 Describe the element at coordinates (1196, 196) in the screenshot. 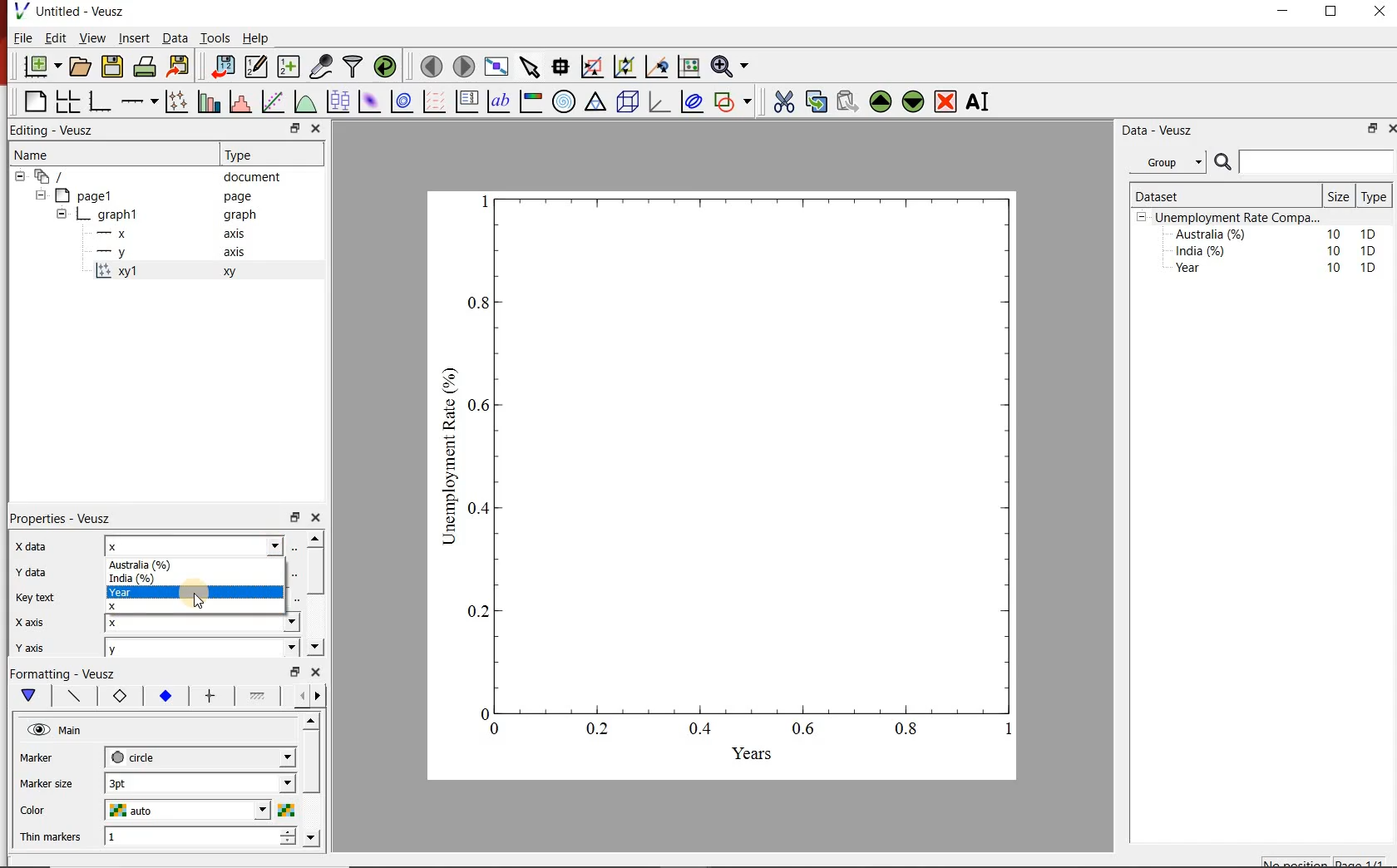

I see `Dataset` at that location.